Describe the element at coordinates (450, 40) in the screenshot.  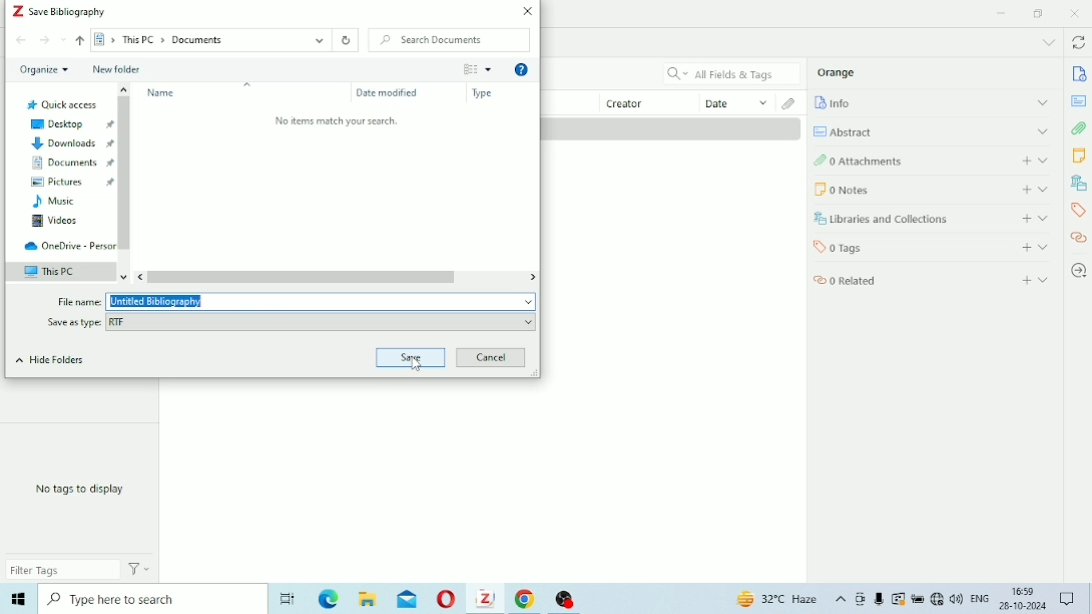
I see `Search Documents` at that location.